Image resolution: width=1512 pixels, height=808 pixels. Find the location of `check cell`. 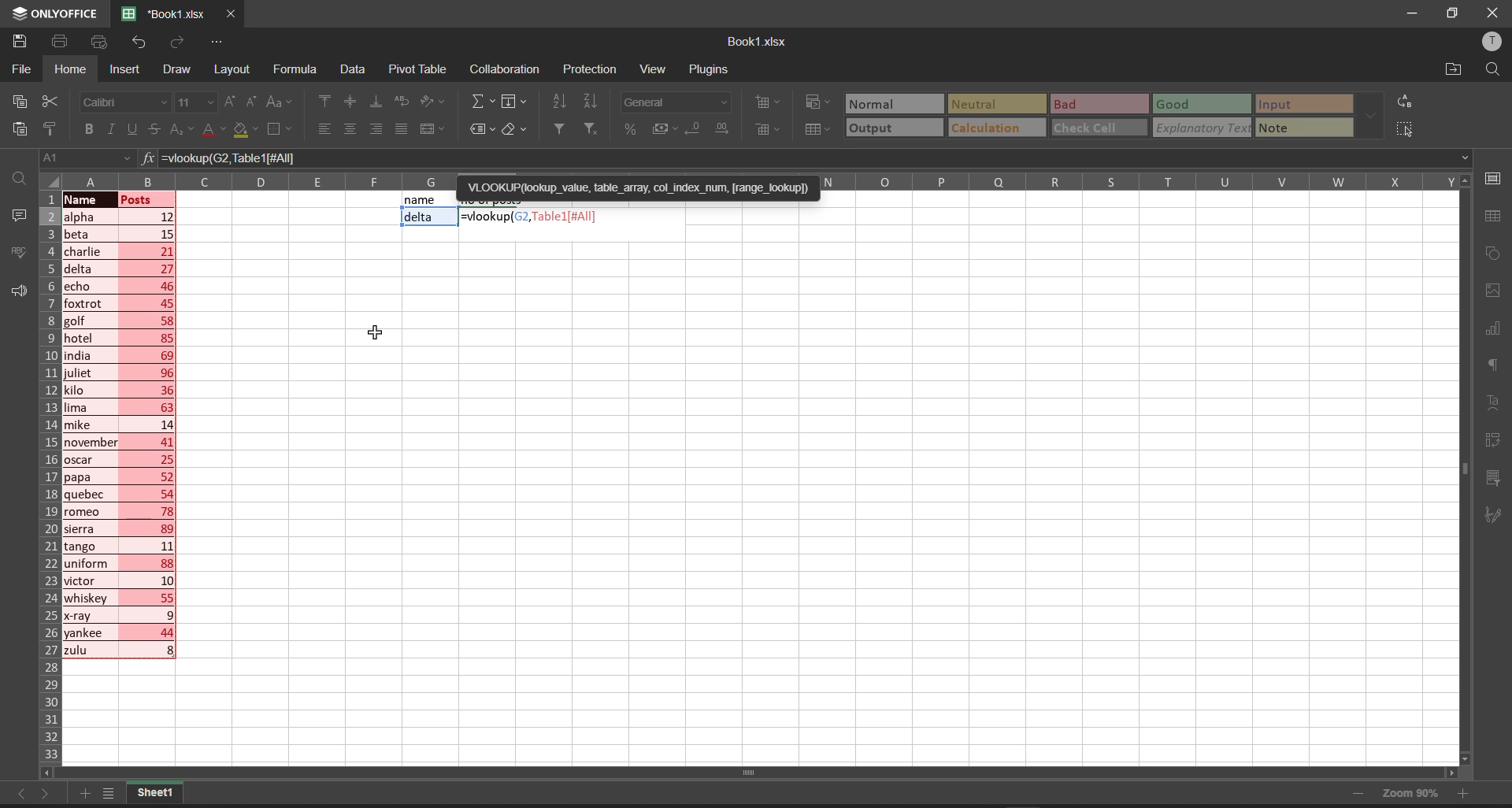

check cell is located at coordinates (1092, 128).